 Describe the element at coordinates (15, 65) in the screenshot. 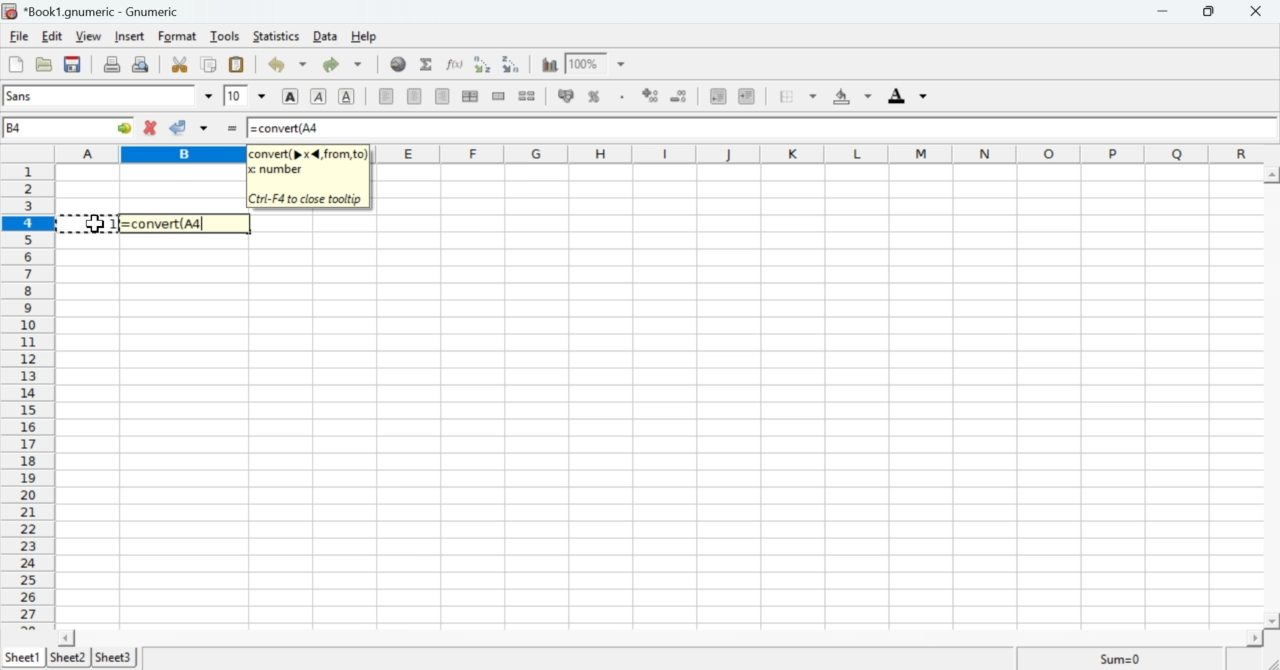

I see `Create a new workbook` at that location.